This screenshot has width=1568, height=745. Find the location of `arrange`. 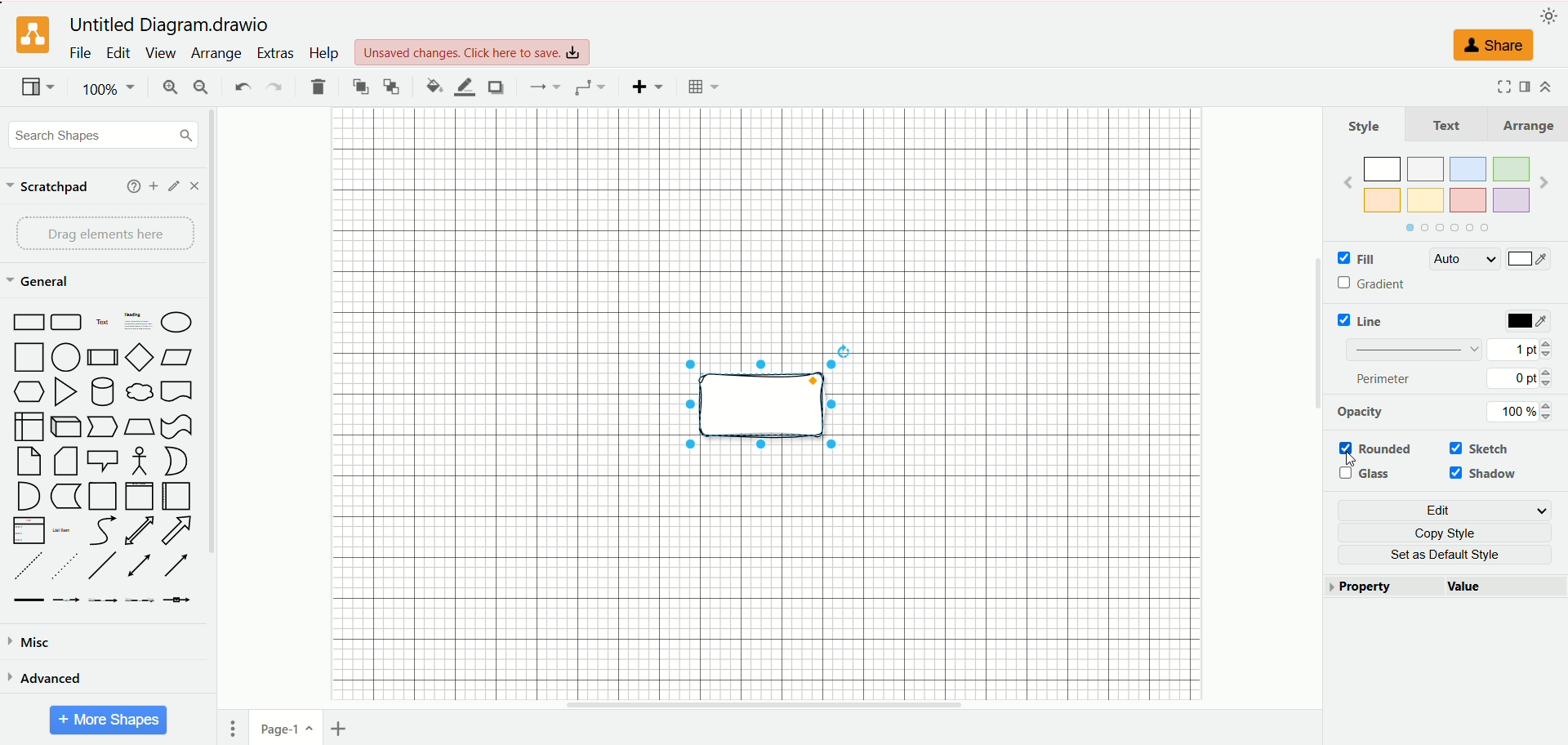

arrange is located at coordinates (218, 54).